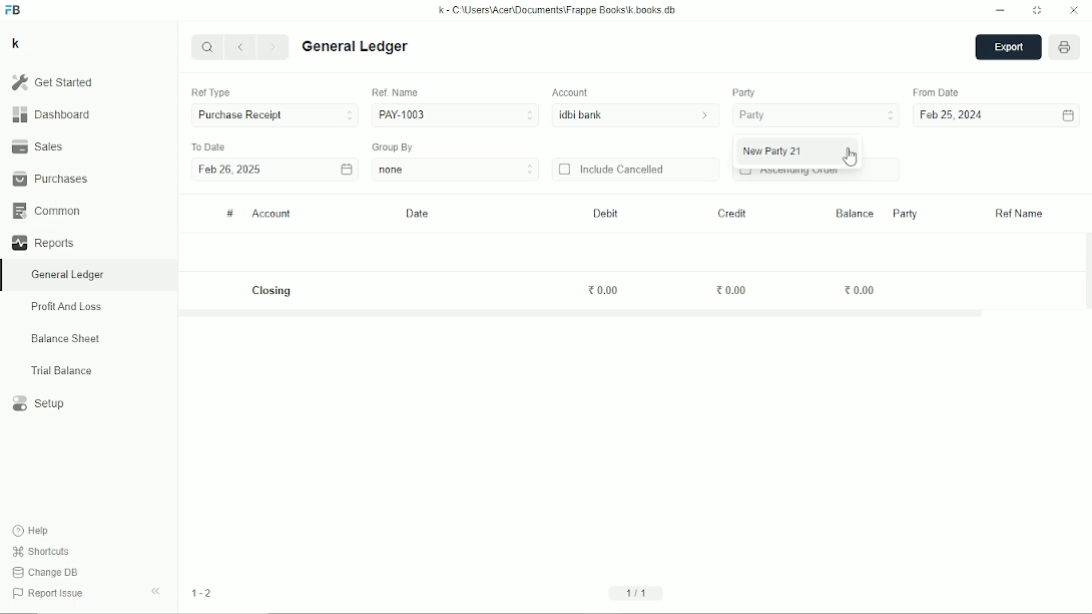 This screenshot has width=1092, height=614. Describe the element at coordinates (1008, 48) in the screenshot. I see `Export` at that location.